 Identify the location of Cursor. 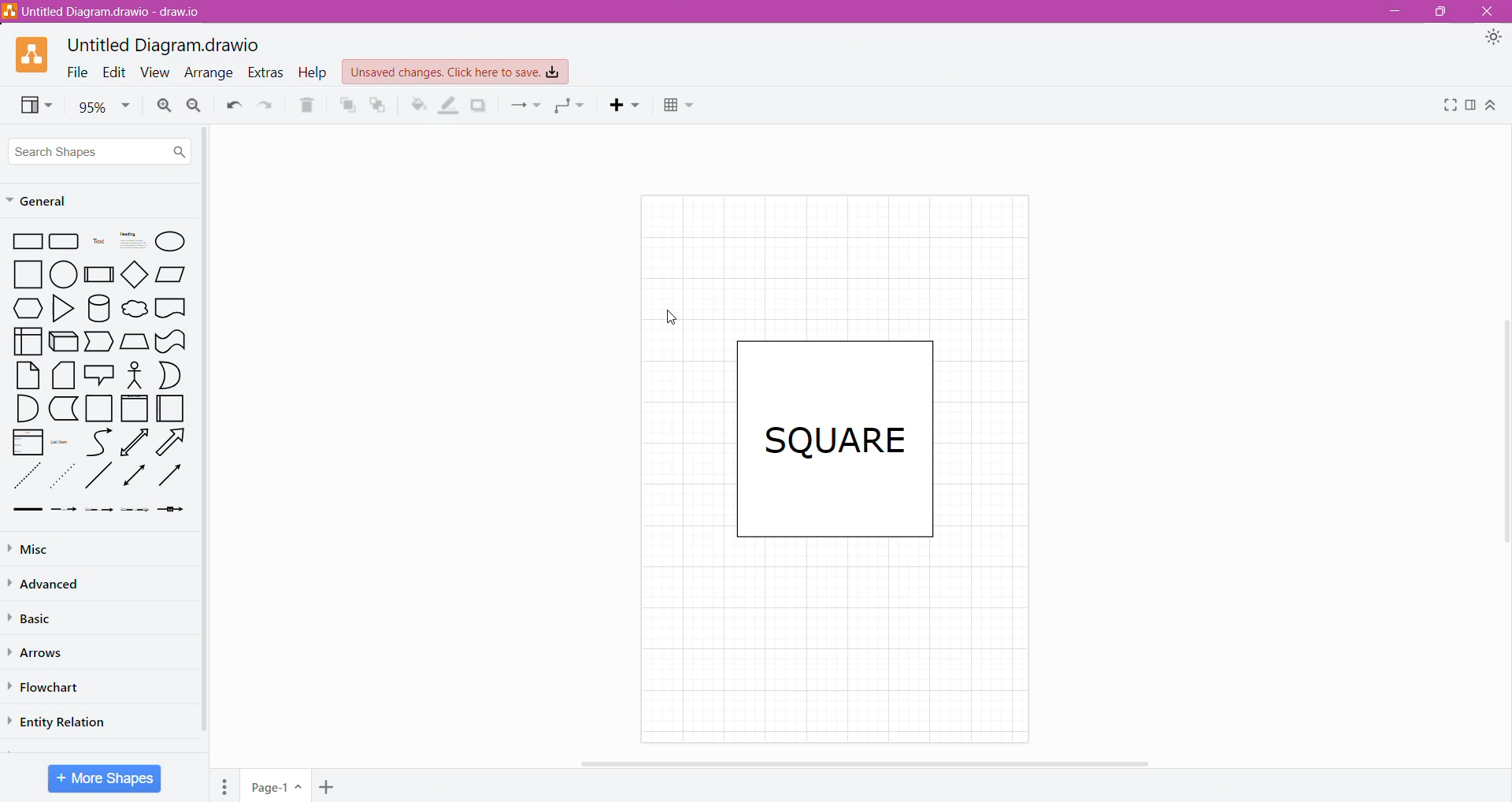
(667, 316).